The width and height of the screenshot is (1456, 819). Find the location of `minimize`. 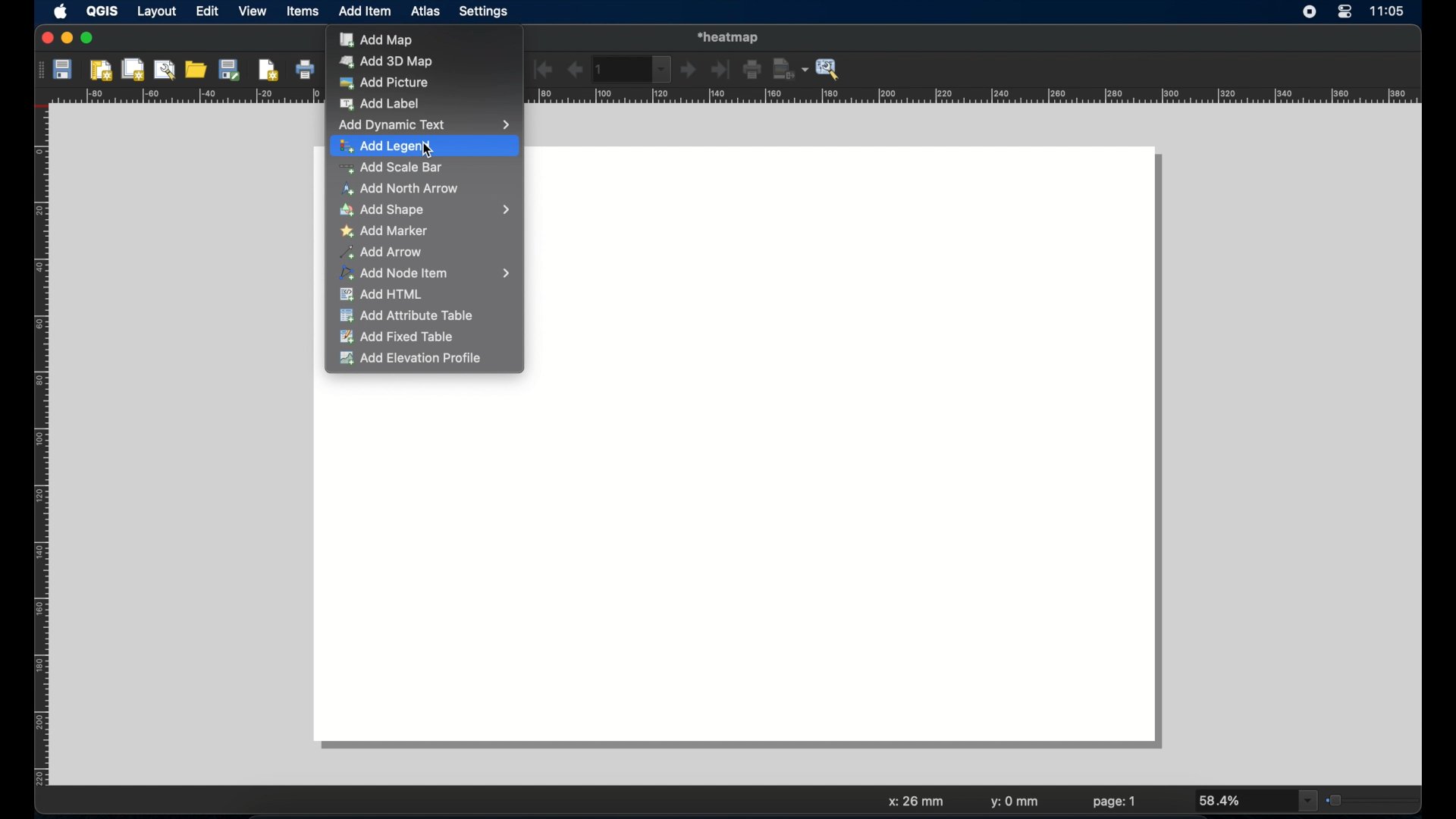

minimize is located at coordinates (67, 39).